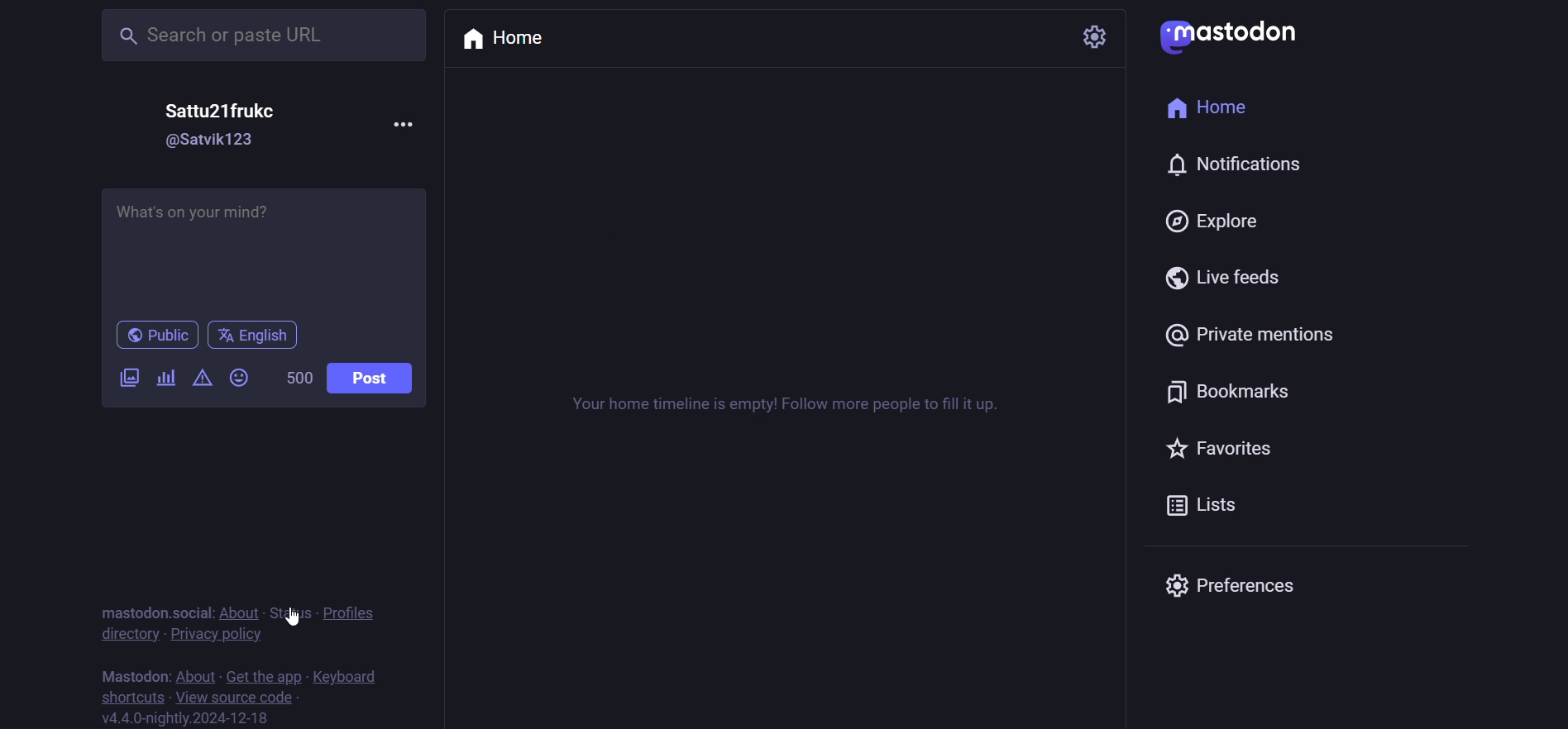 The image size is (1568, 729). I want to click on private mention, so click(1256, 336).